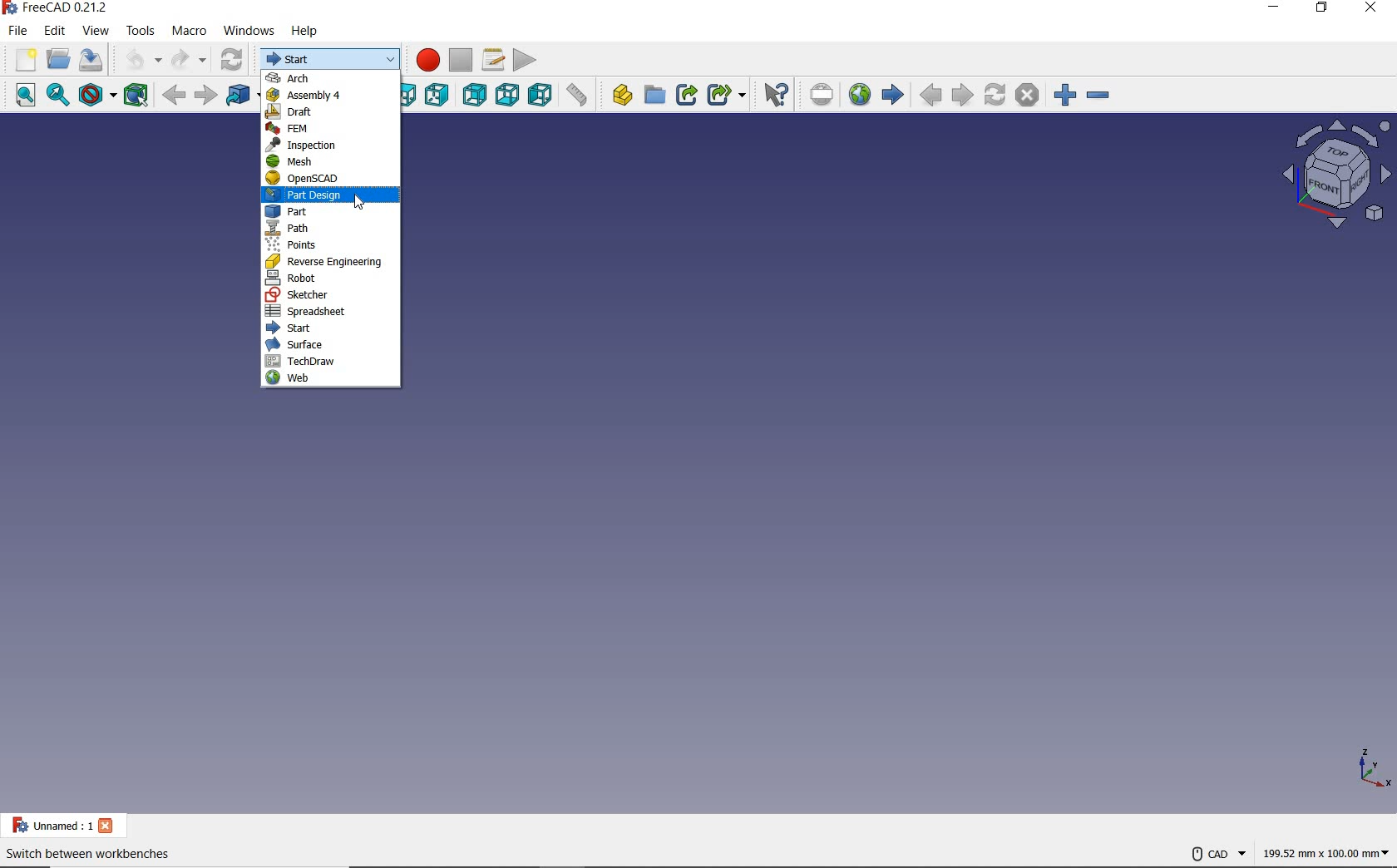 The width and height of the screenshot is (1397, 868). What do you see at coordinates (326, 278) in the screenshot?
I see `ROBOT` at bounding box center [326, 278].